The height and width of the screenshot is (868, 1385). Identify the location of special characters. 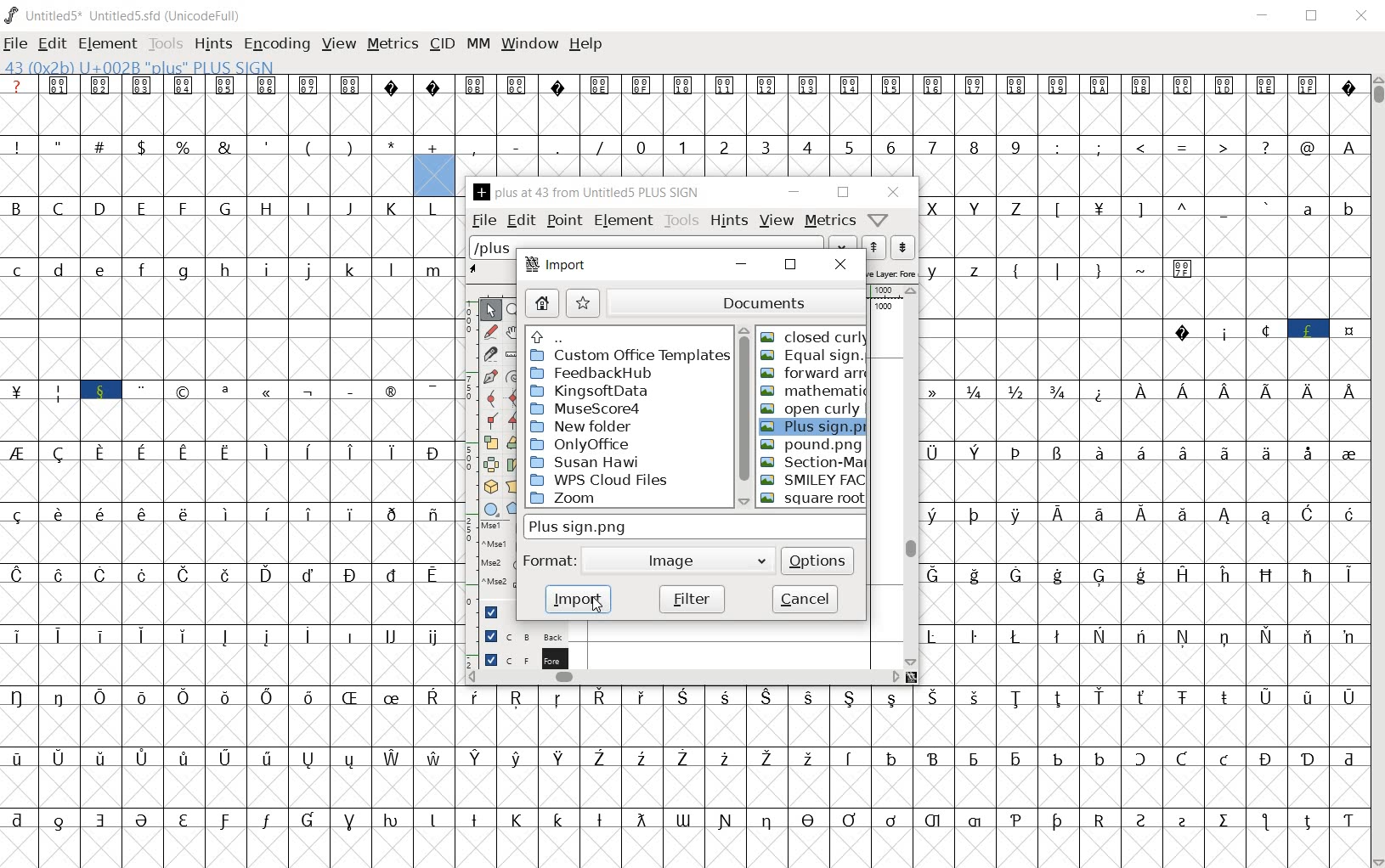
(1203, 228).